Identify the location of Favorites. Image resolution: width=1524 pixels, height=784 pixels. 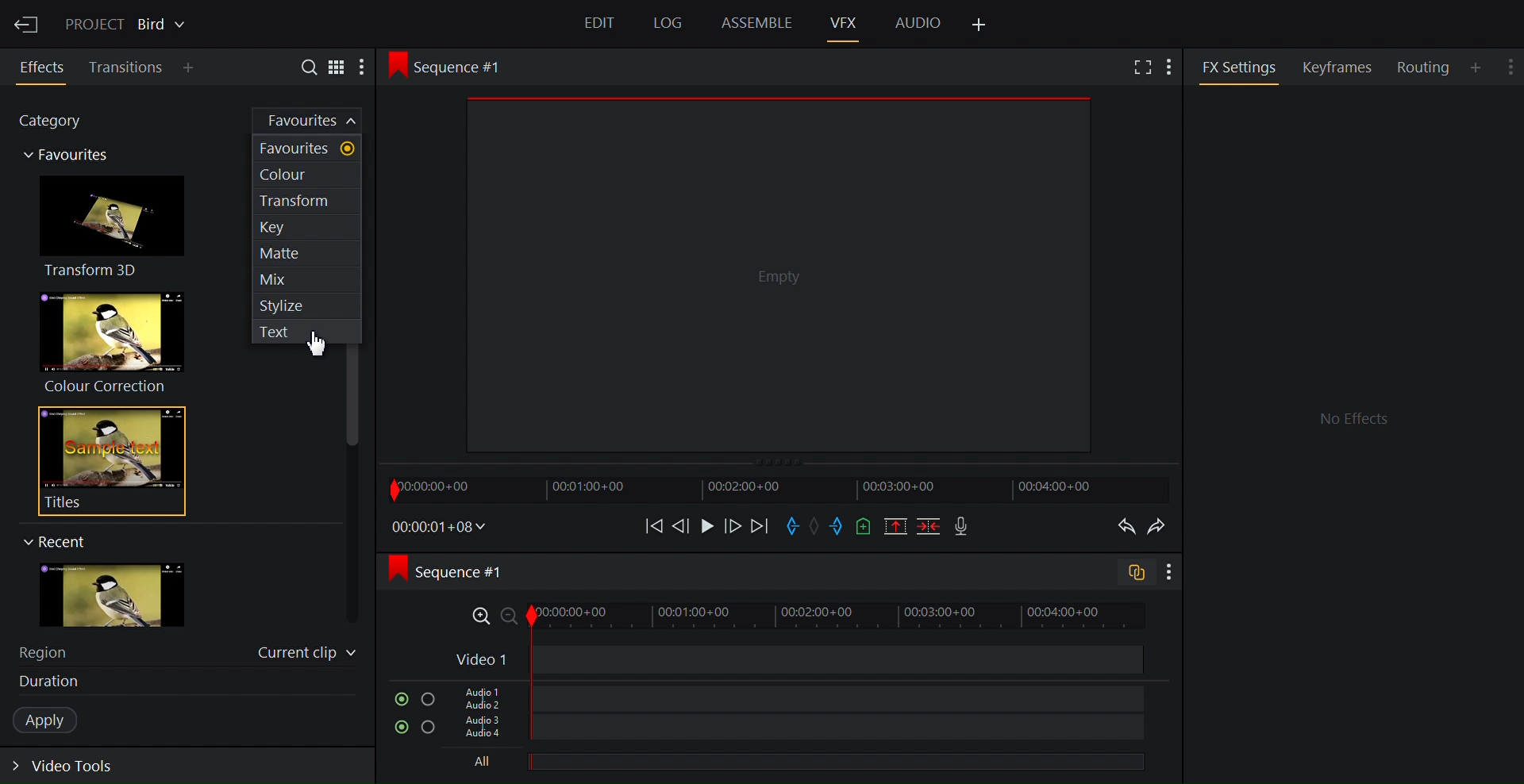
(318, 121).